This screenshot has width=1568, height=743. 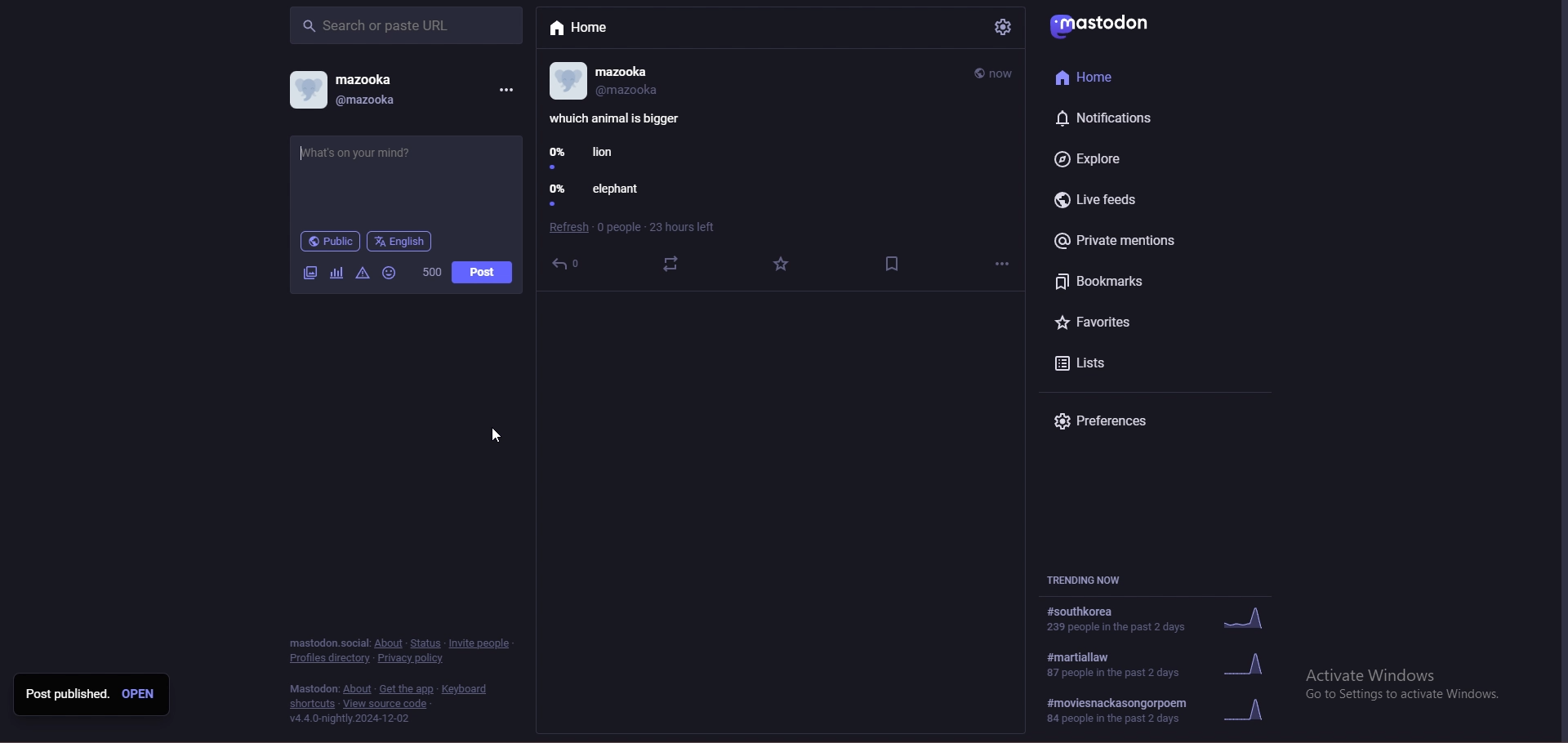 I want to click on about, so click(x=357, y=689).